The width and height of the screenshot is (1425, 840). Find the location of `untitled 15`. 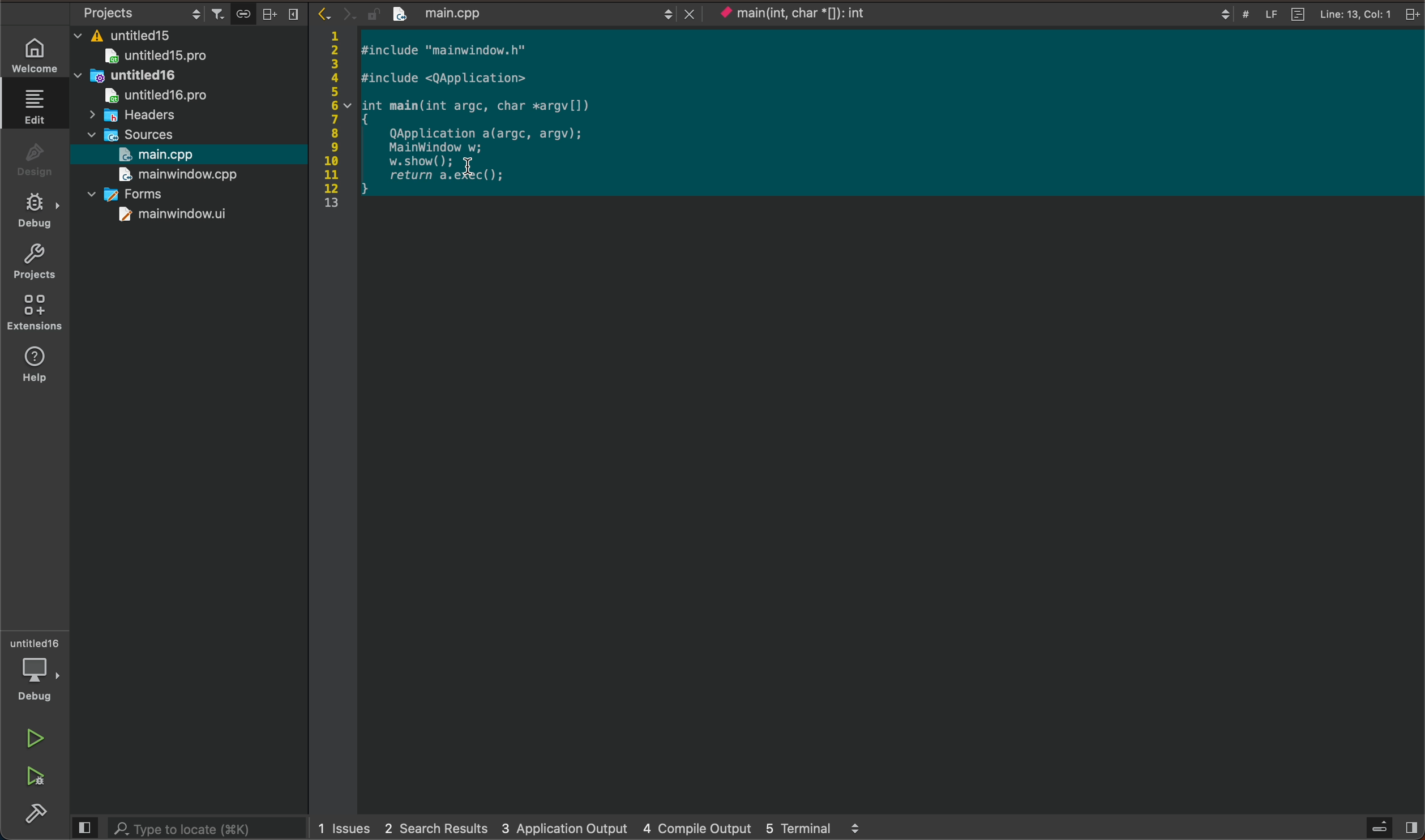

untitled 15 is located at coordinates (170, 58).